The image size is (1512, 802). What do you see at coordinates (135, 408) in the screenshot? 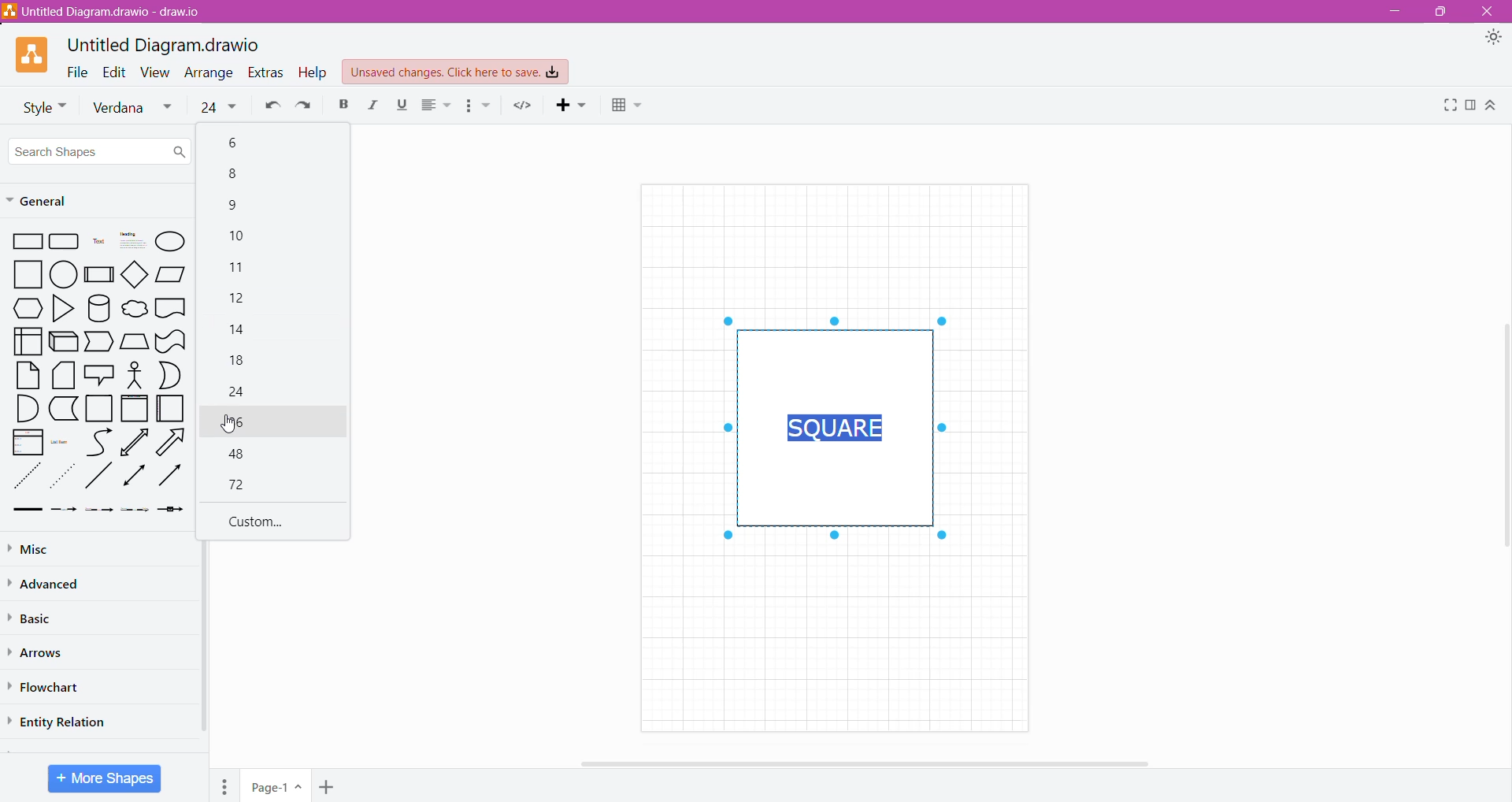
I see `Frame` at bounding box center [135, 408].